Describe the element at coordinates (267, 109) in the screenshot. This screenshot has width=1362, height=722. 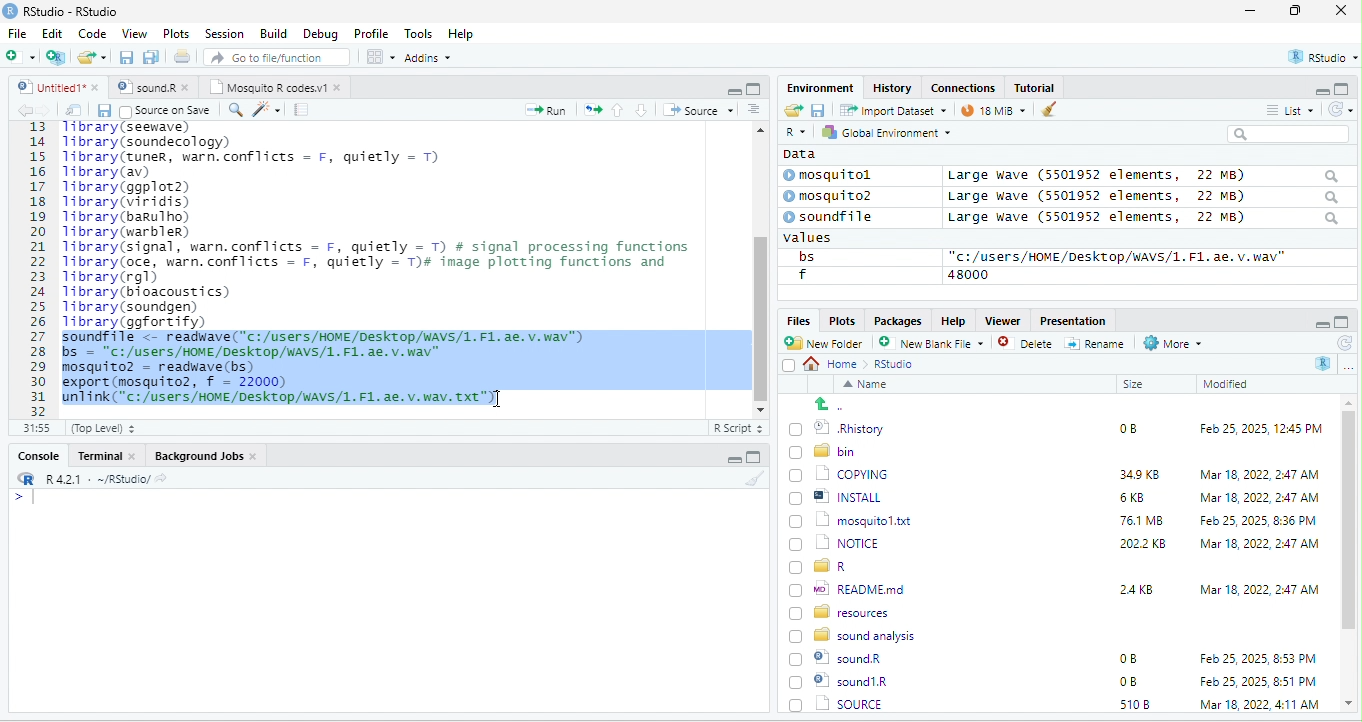
I see `sharpen` at that location.